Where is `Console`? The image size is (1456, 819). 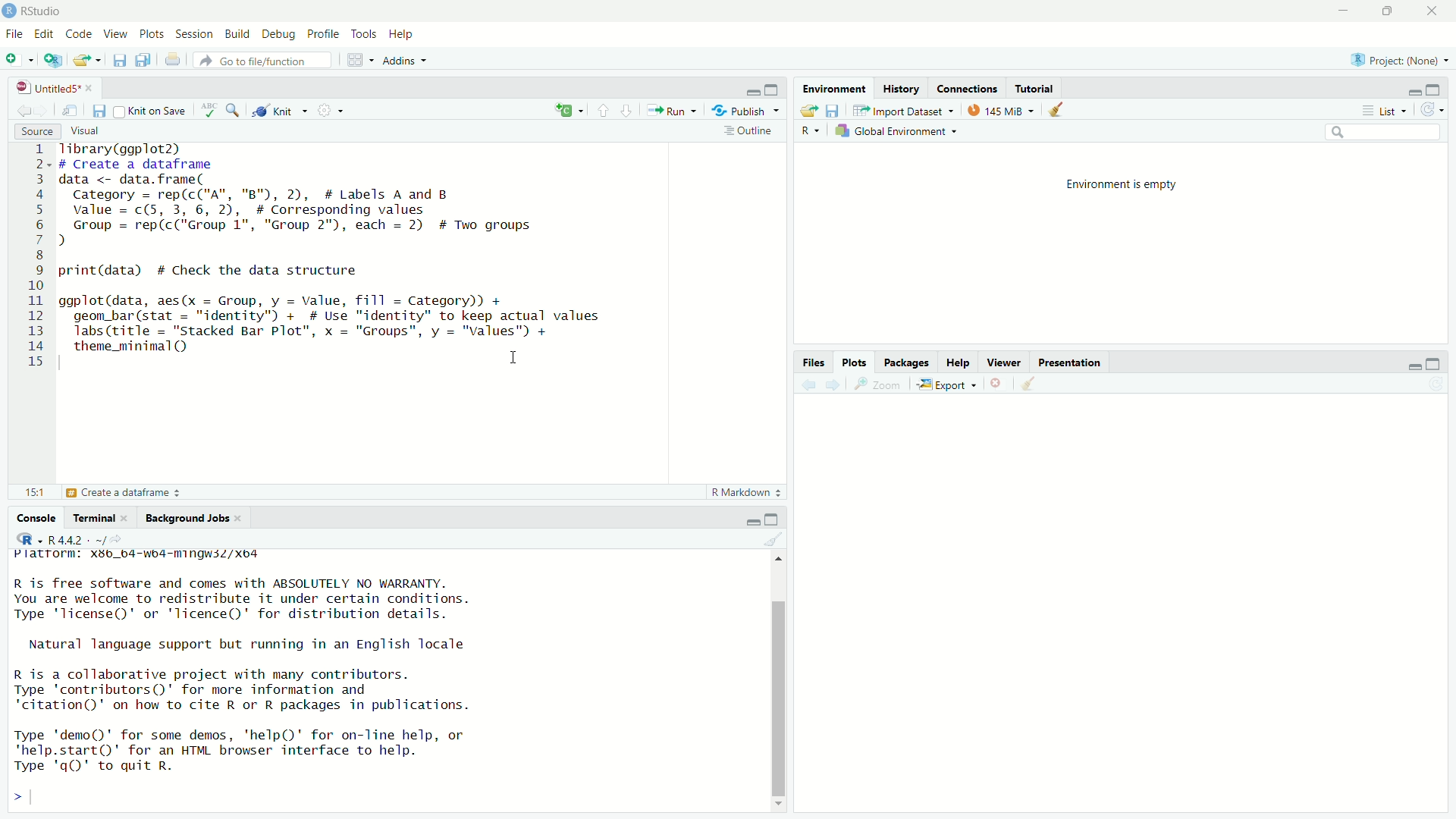
Console is located at coordinates (37, 516).